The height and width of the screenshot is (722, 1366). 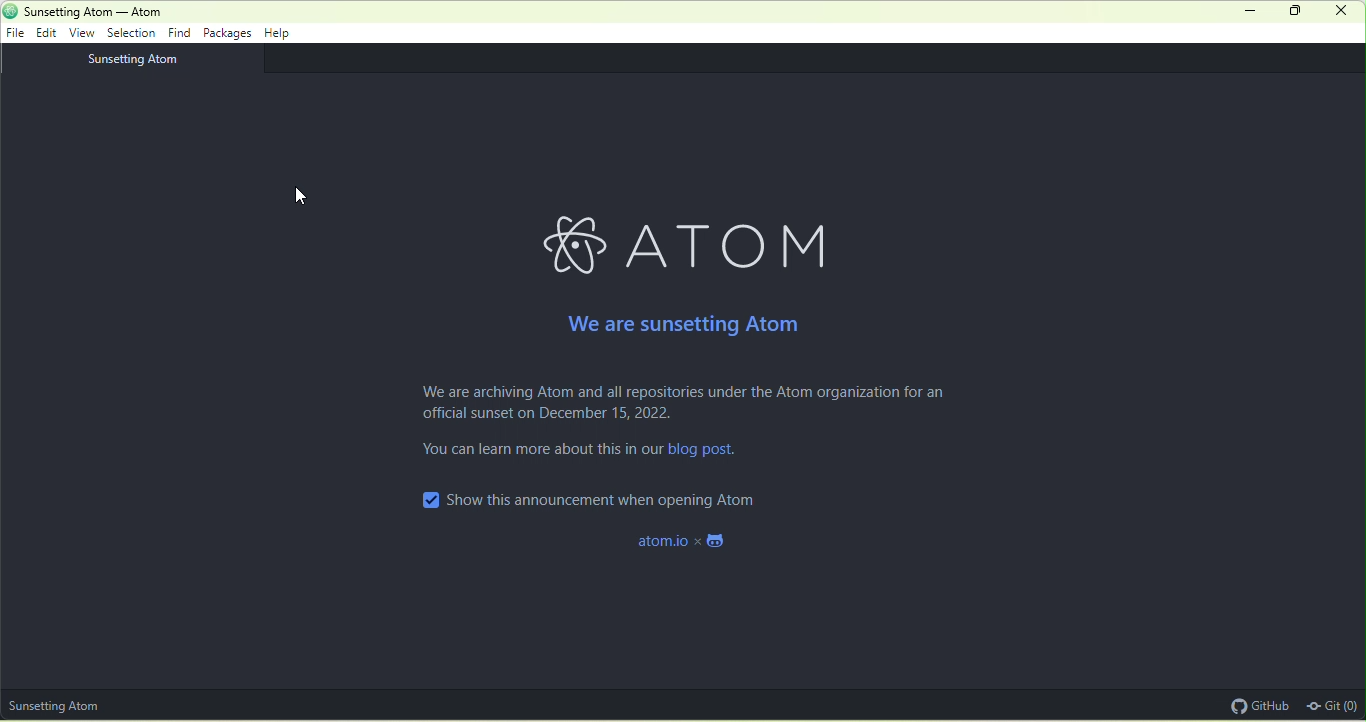 What do you see at coordinates (10, 10) in the screenshot?
I see `atom logo` at bounding box center [10, 10].